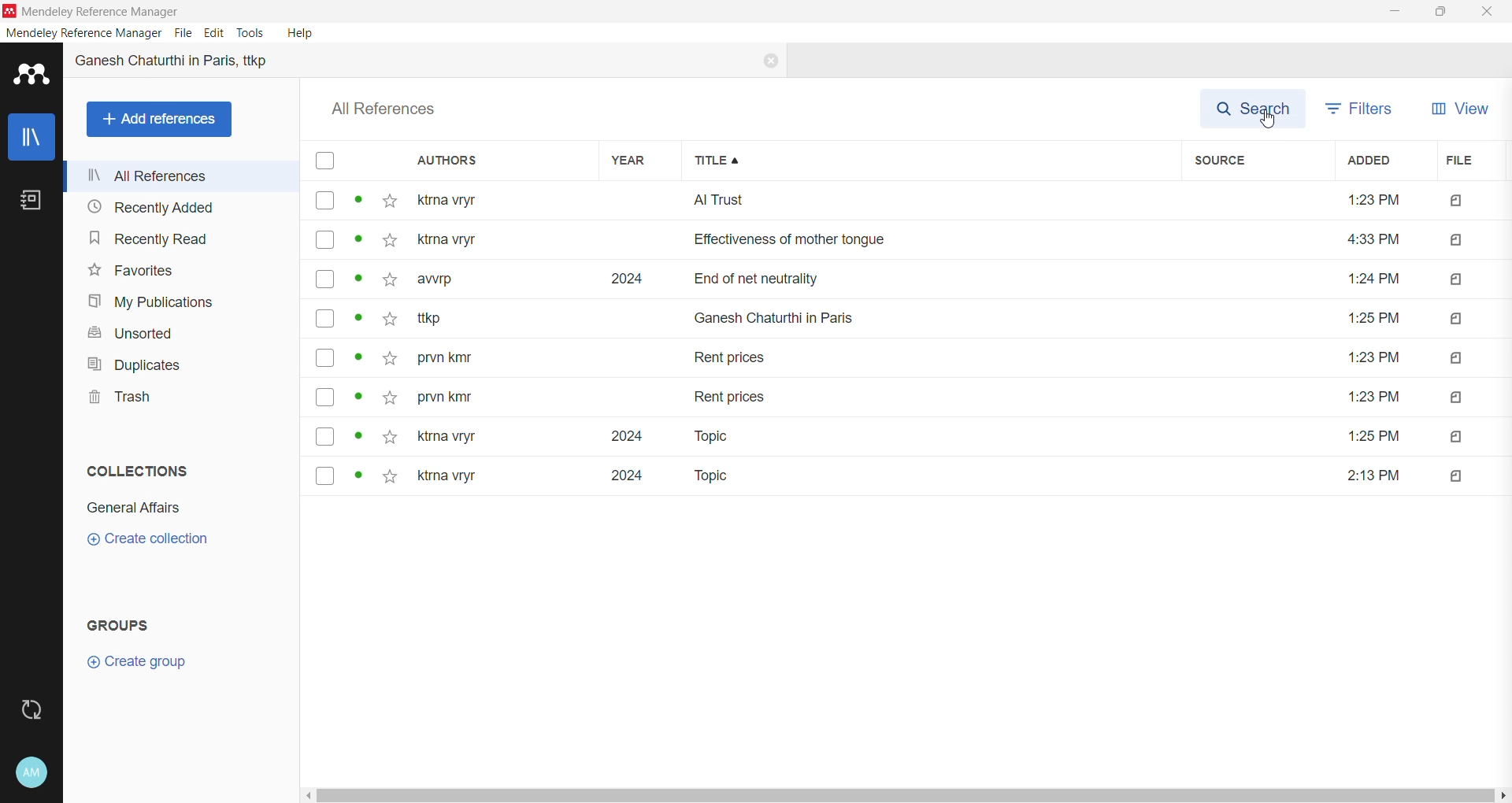 The image size is (1512, 803). What do you see at coordinates (358, 398) in the screenshot?
I see `view status` at bounding box center [358, 398].